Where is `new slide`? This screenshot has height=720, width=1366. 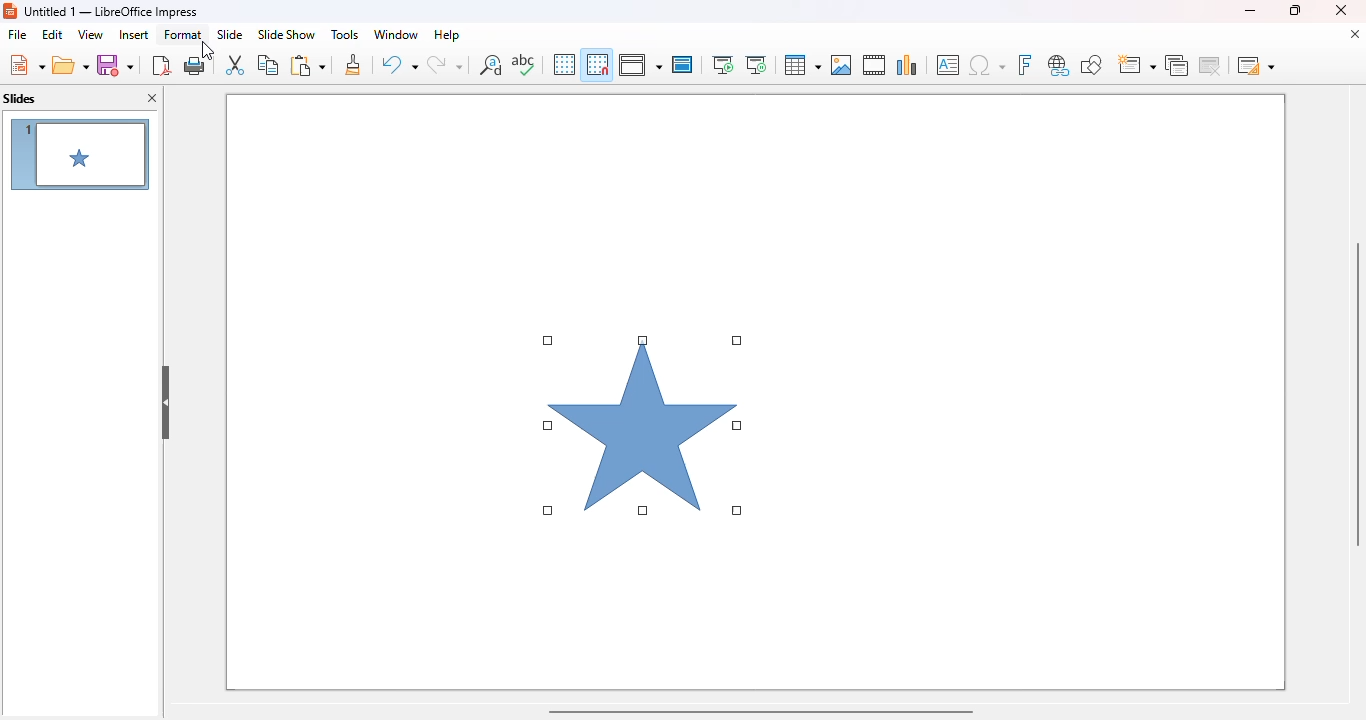 new slide is located at coordinates (1135, 65).